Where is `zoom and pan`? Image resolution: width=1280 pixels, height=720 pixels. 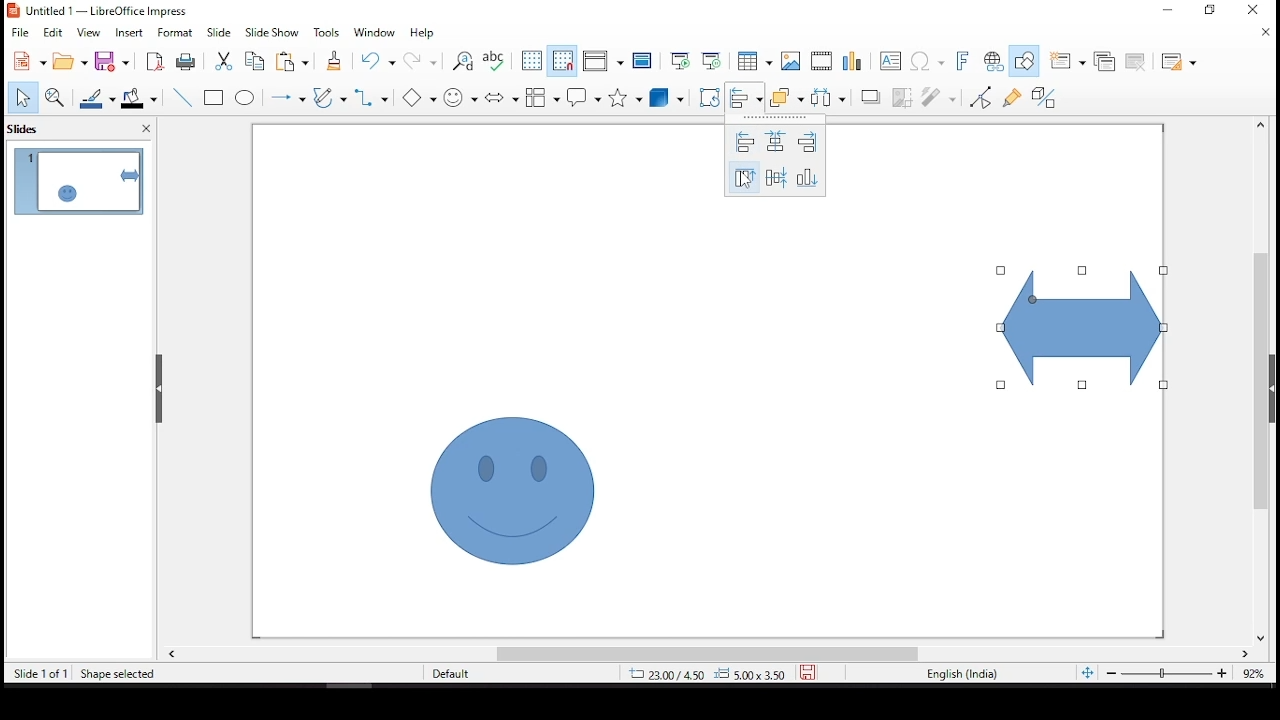
zoom and pan is located at coordinates (55, 97).